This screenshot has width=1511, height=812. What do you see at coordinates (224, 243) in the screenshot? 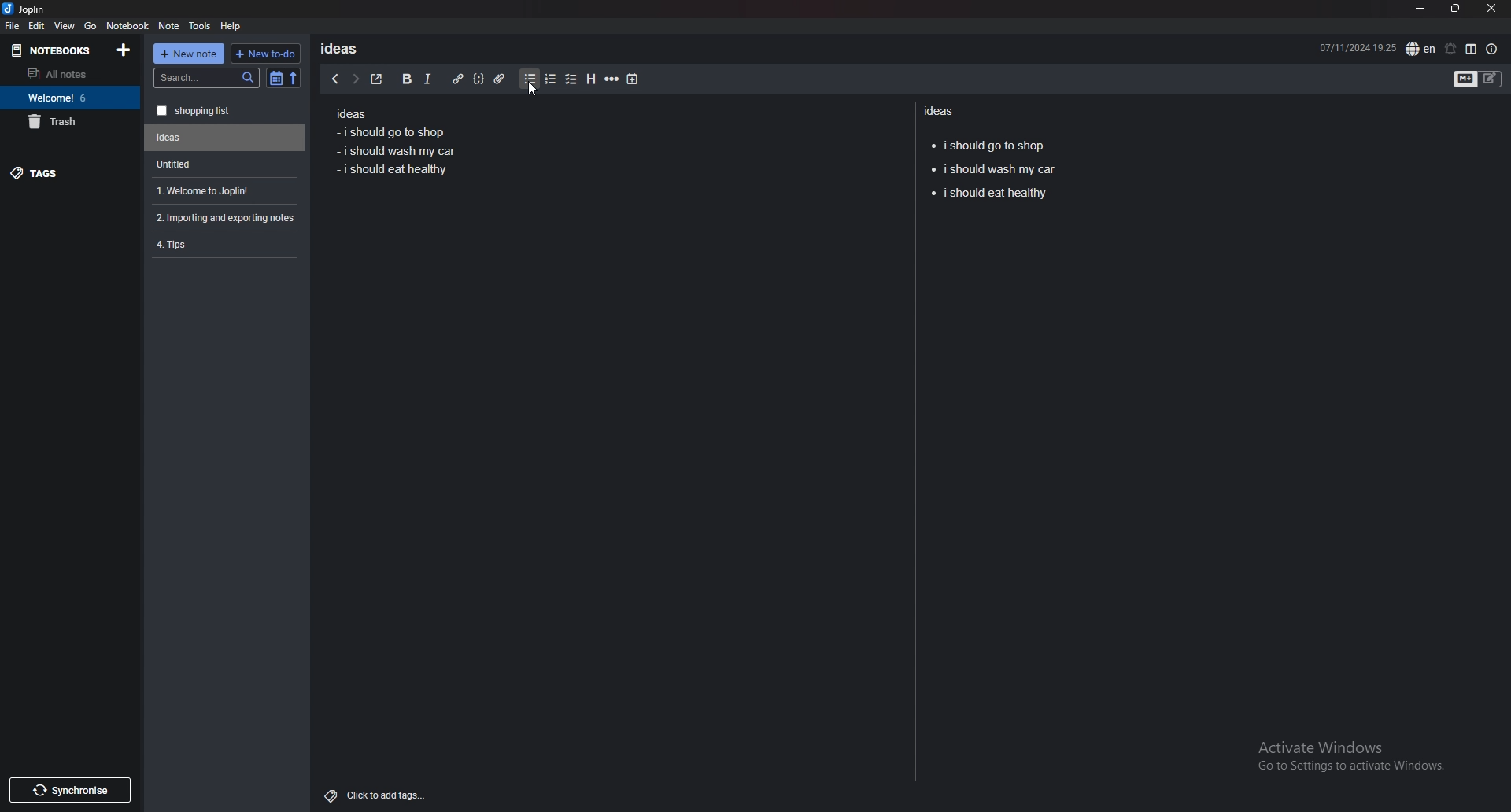
I see `Tips` at bounding box center [224, 243].